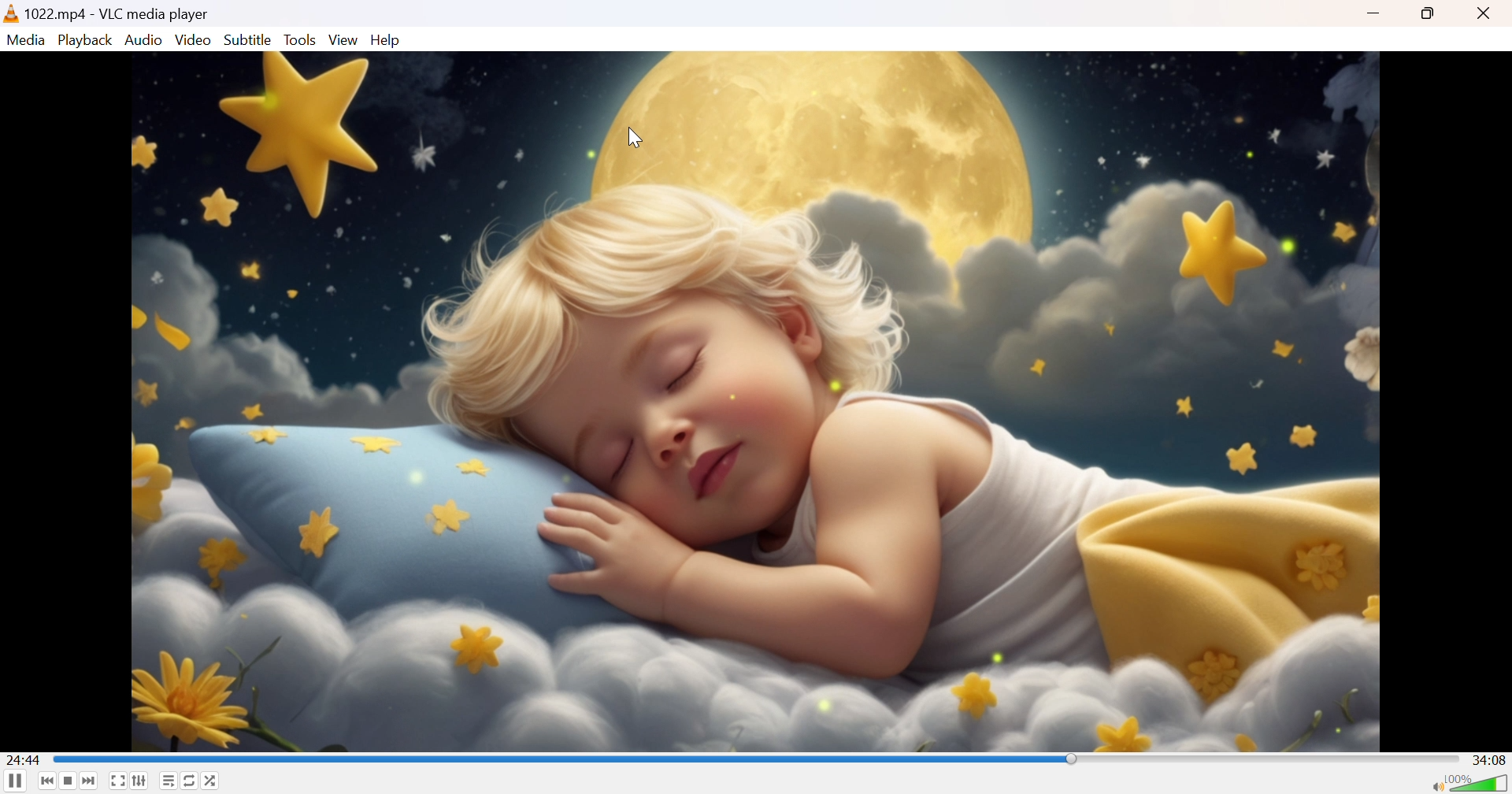  Describe the element at coordinates (117, 781) in the screenshot. I see `Toggle the video in fullscreen` at that location.